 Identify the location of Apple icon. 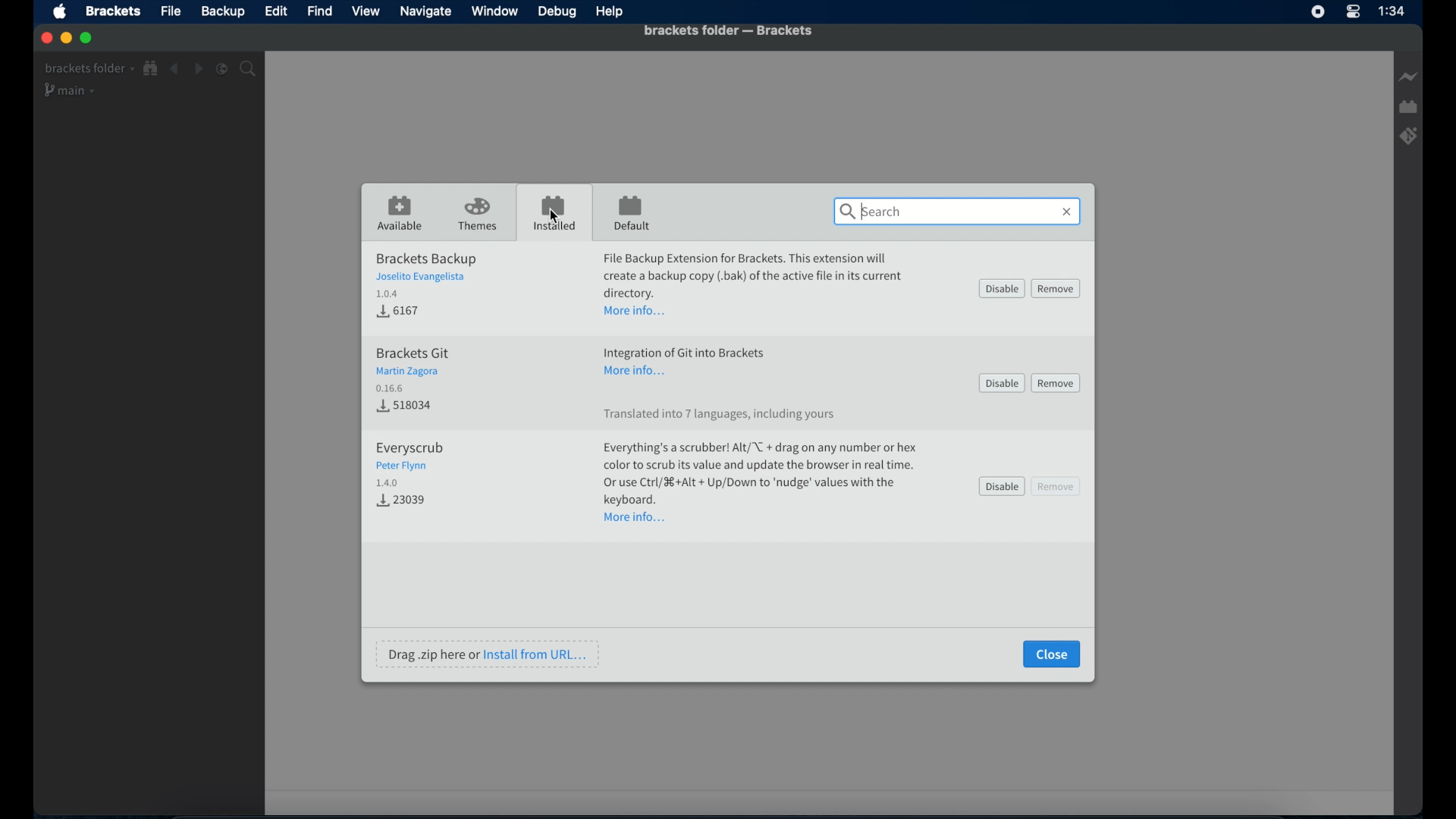
(61, 13).